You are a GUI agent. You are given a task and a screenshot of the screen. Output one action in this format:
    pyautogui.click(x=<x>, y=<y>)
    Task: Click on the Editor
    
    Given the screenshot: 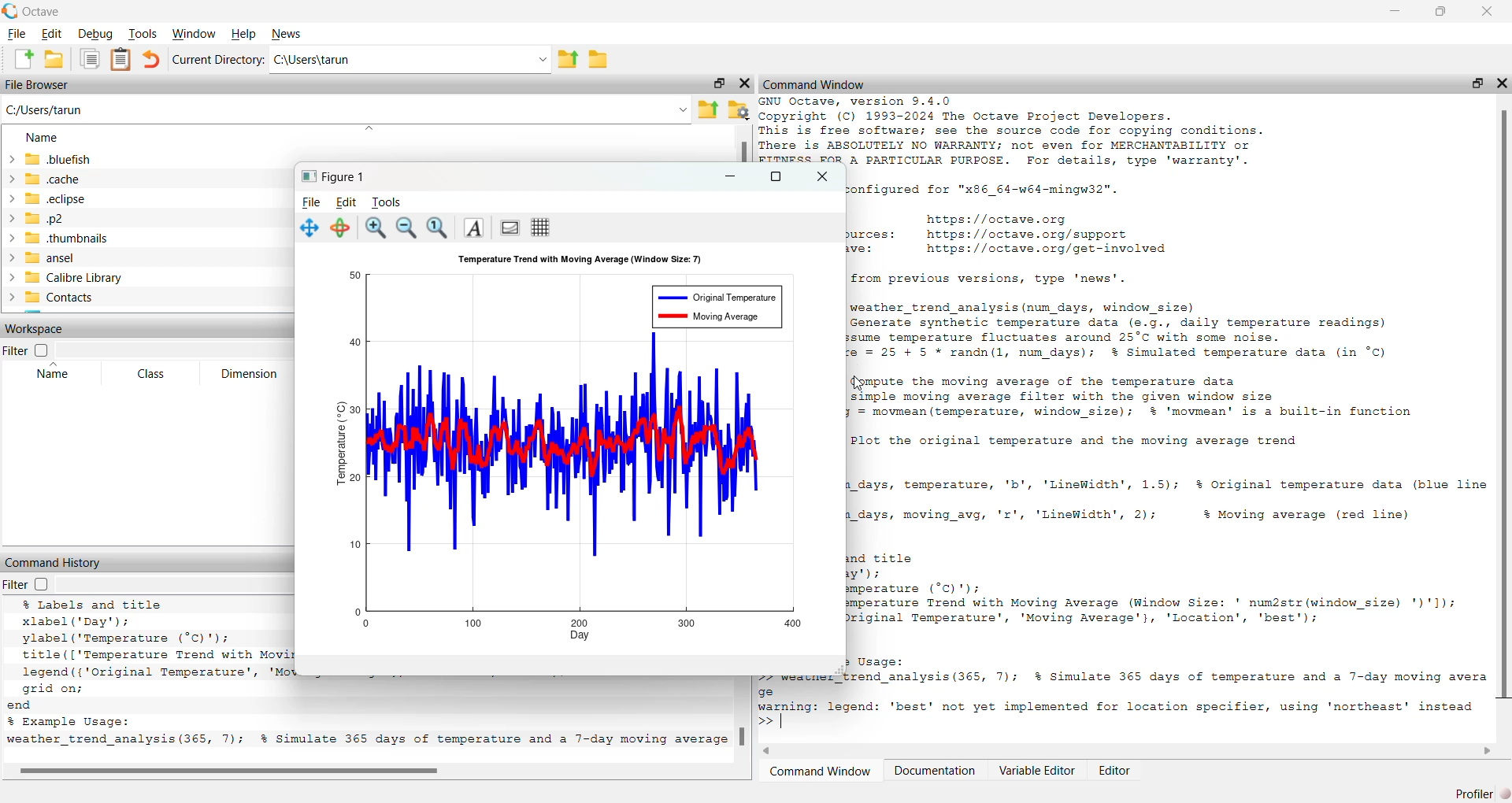 What is the action you would take?
    pyautogui.click(x=1115, y=770)
    